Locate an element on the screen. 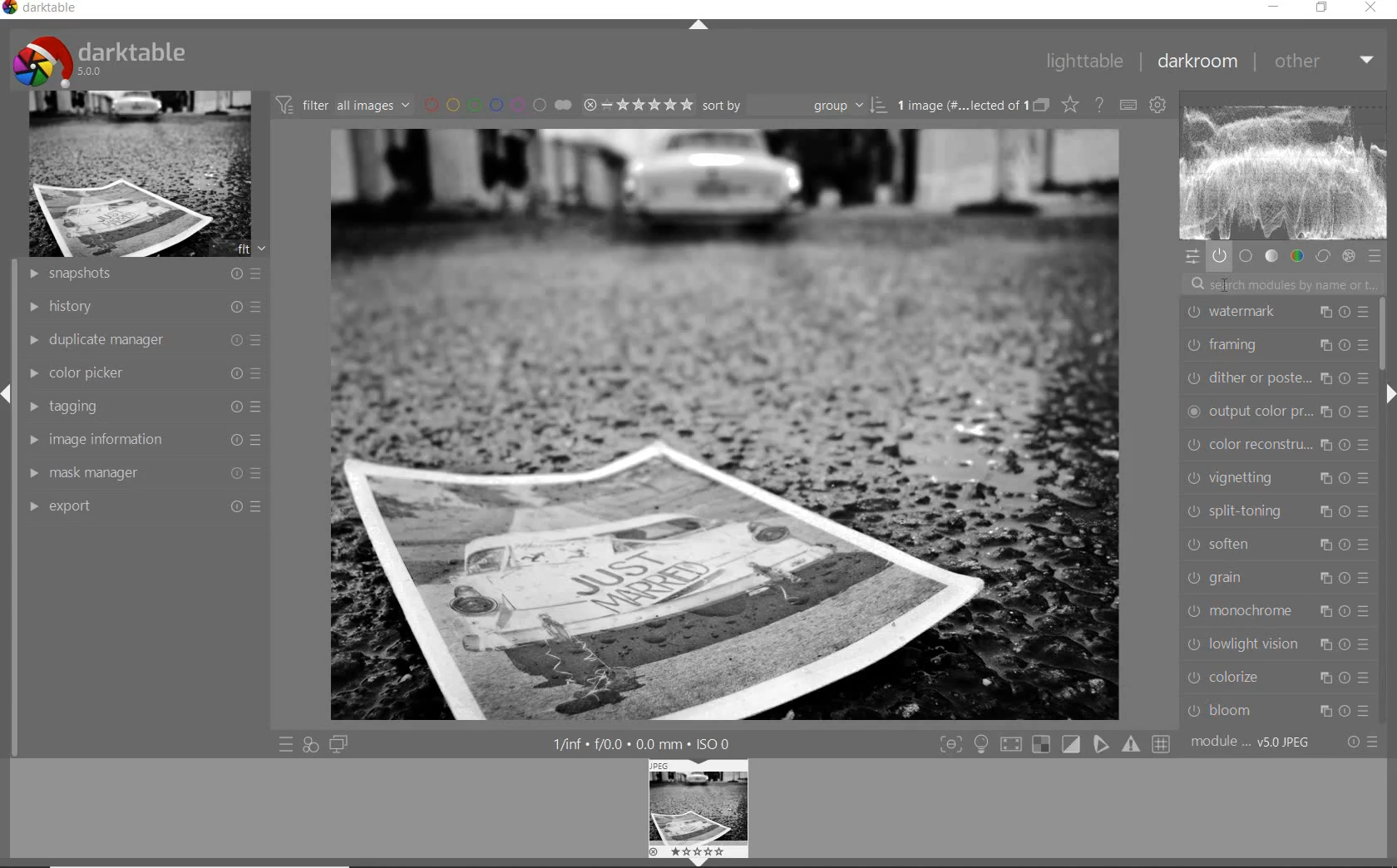  split toning is located at coordinates (1276, 512).